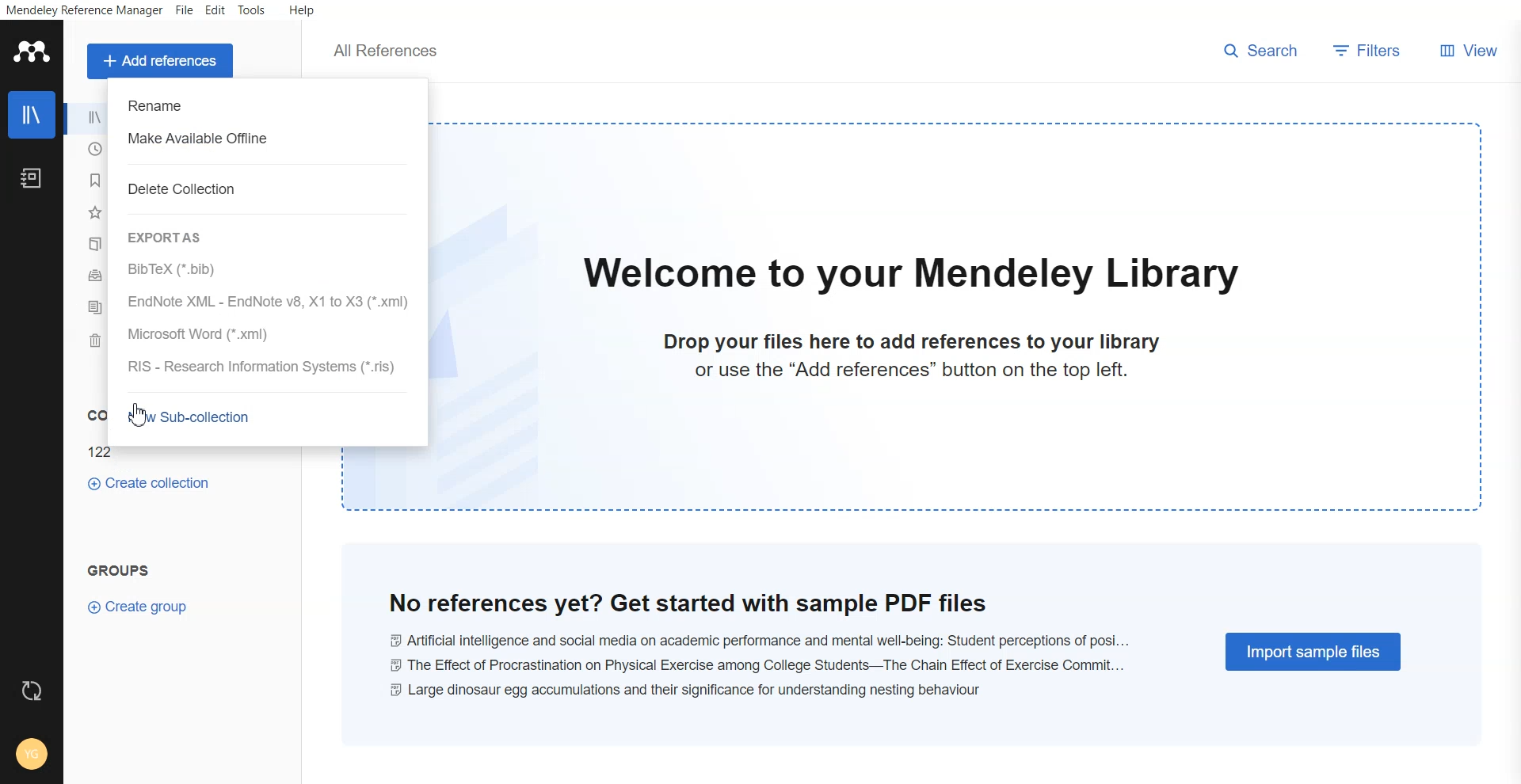  What do you see at coordinates (181, 268) in the screenshot?
I see `Bibtex` at bounding box center [181, 268].